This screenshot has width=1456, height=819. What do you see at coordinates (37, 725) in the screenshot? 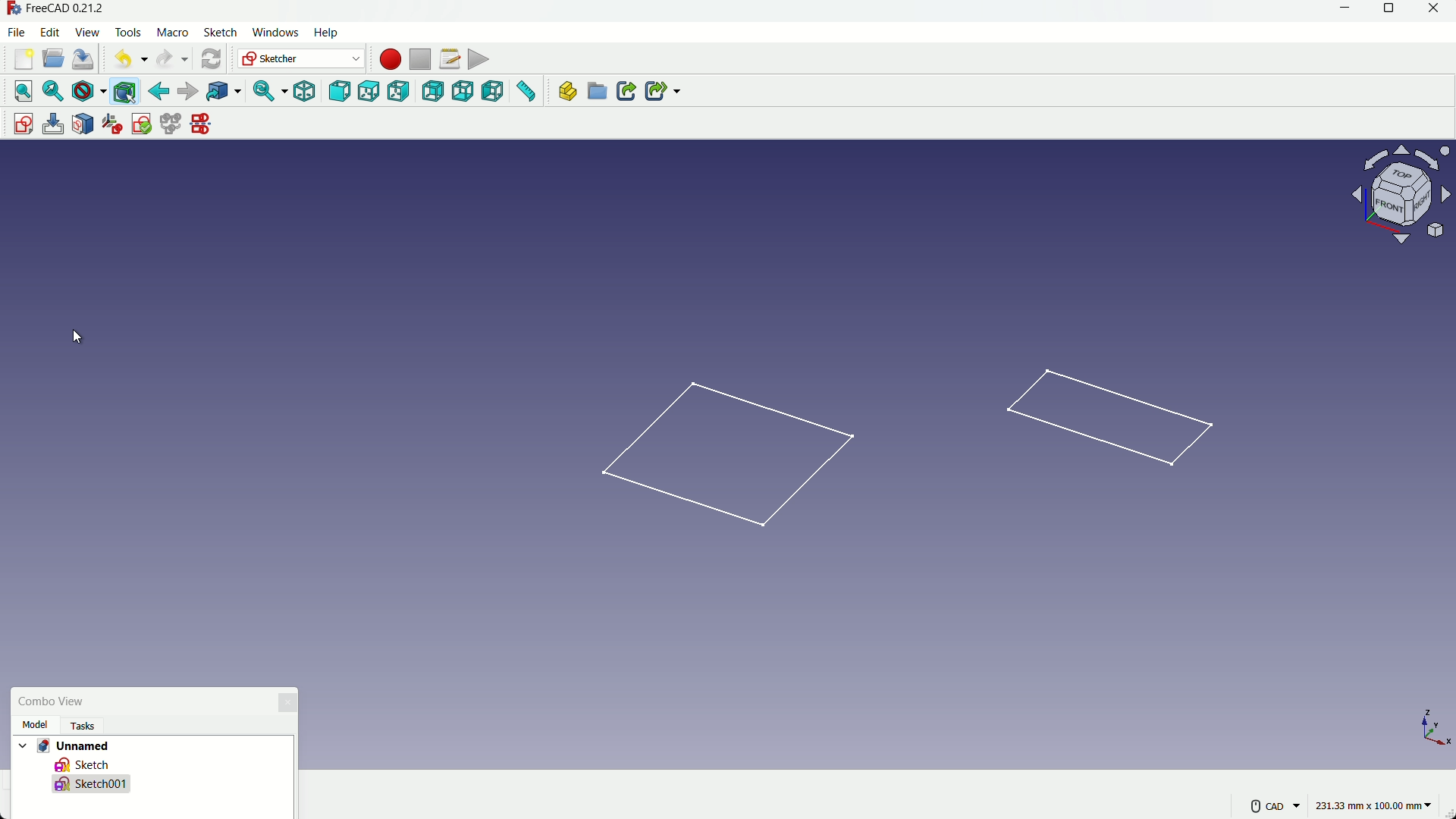
I see `model tab` at bounding box center [37, 725].